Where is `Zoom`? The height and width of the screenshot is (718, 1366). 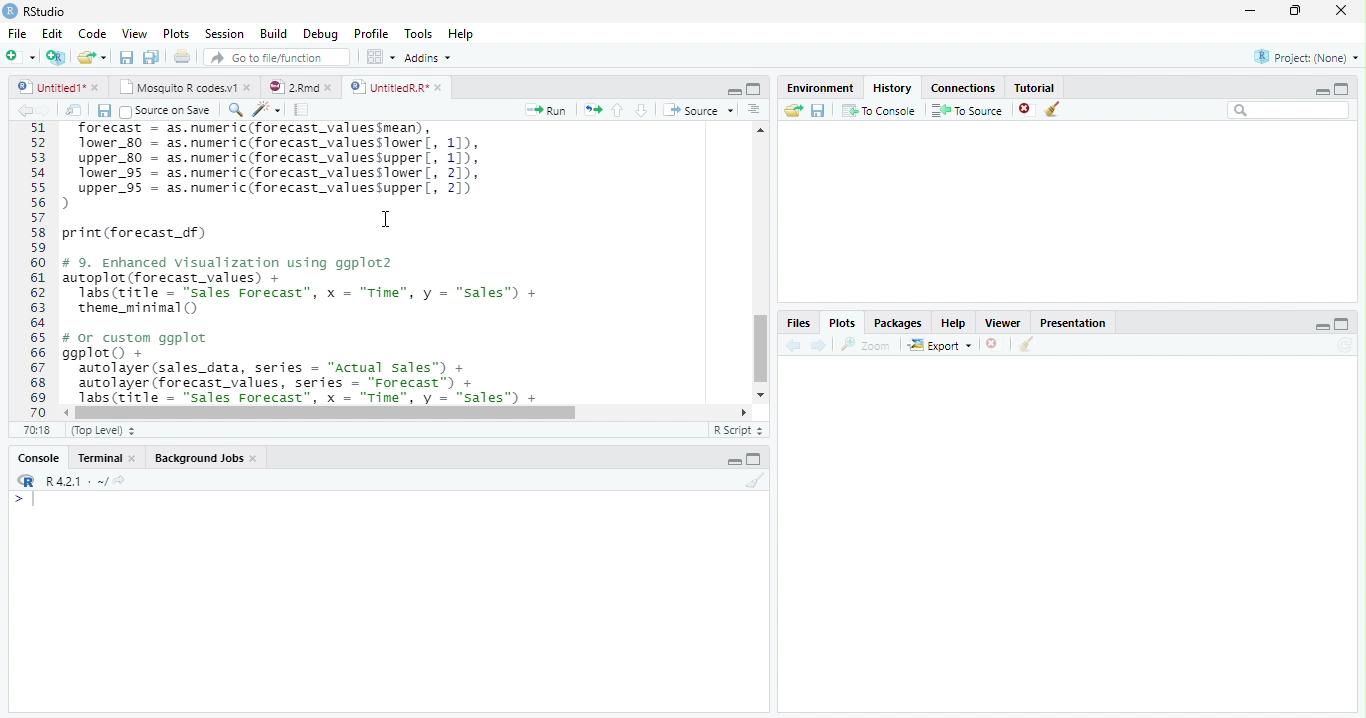
Zoom is located at coordinates (864, 345).